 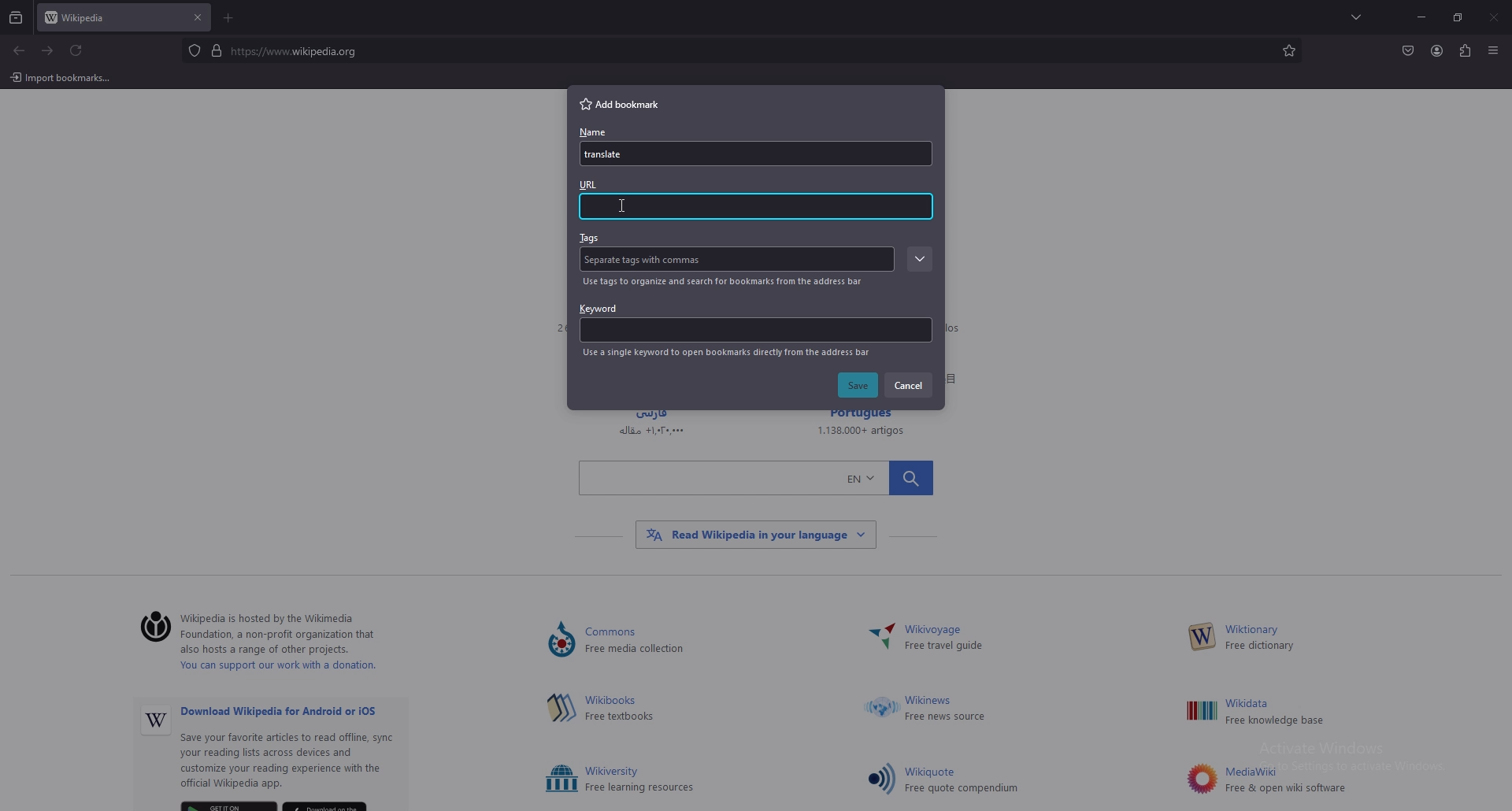 What do you see at coordinates (726, 282) in the screenshot?
I see `info` at bounding box center [726, 282].